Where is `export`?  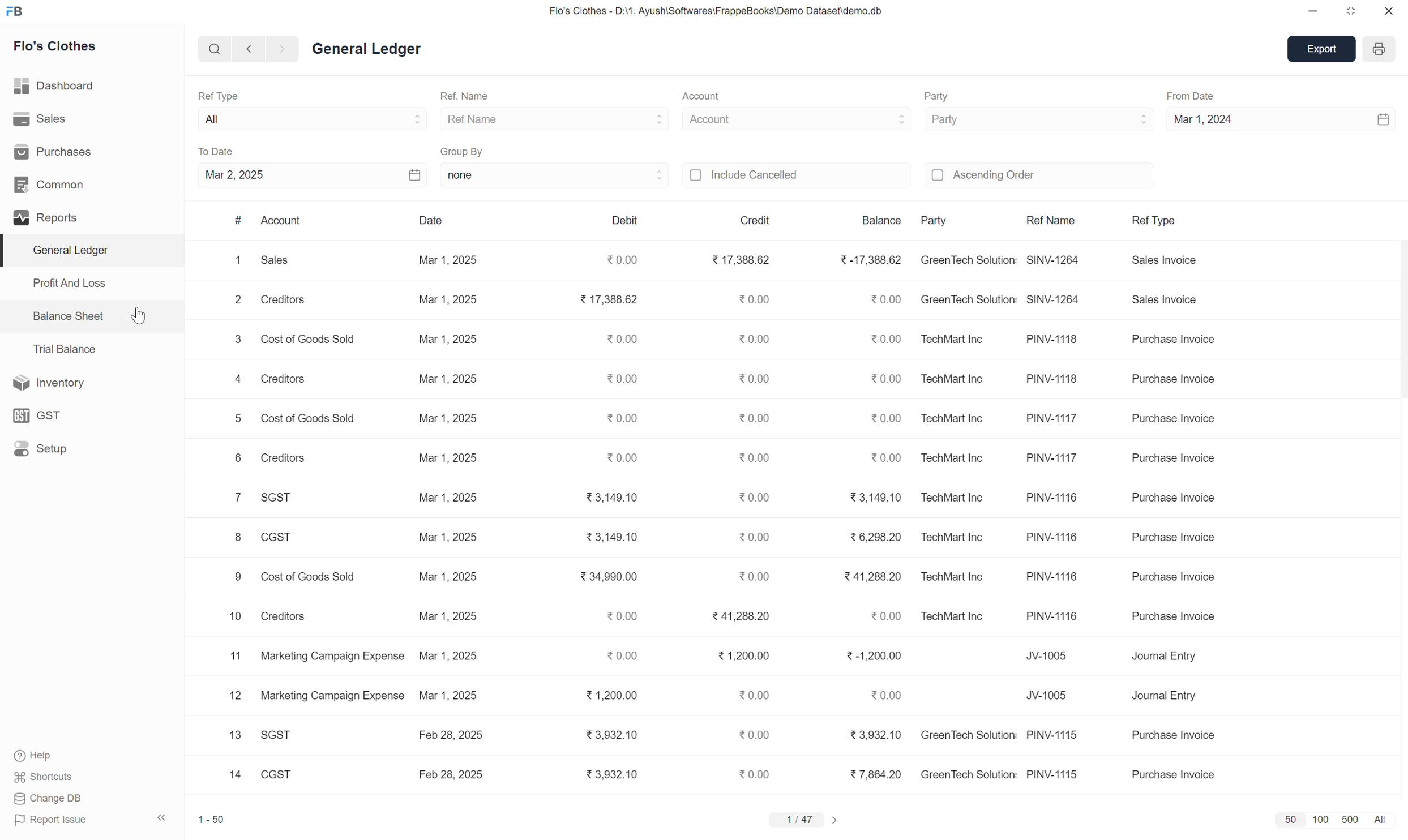
export is located at coordinates (1321, 50).